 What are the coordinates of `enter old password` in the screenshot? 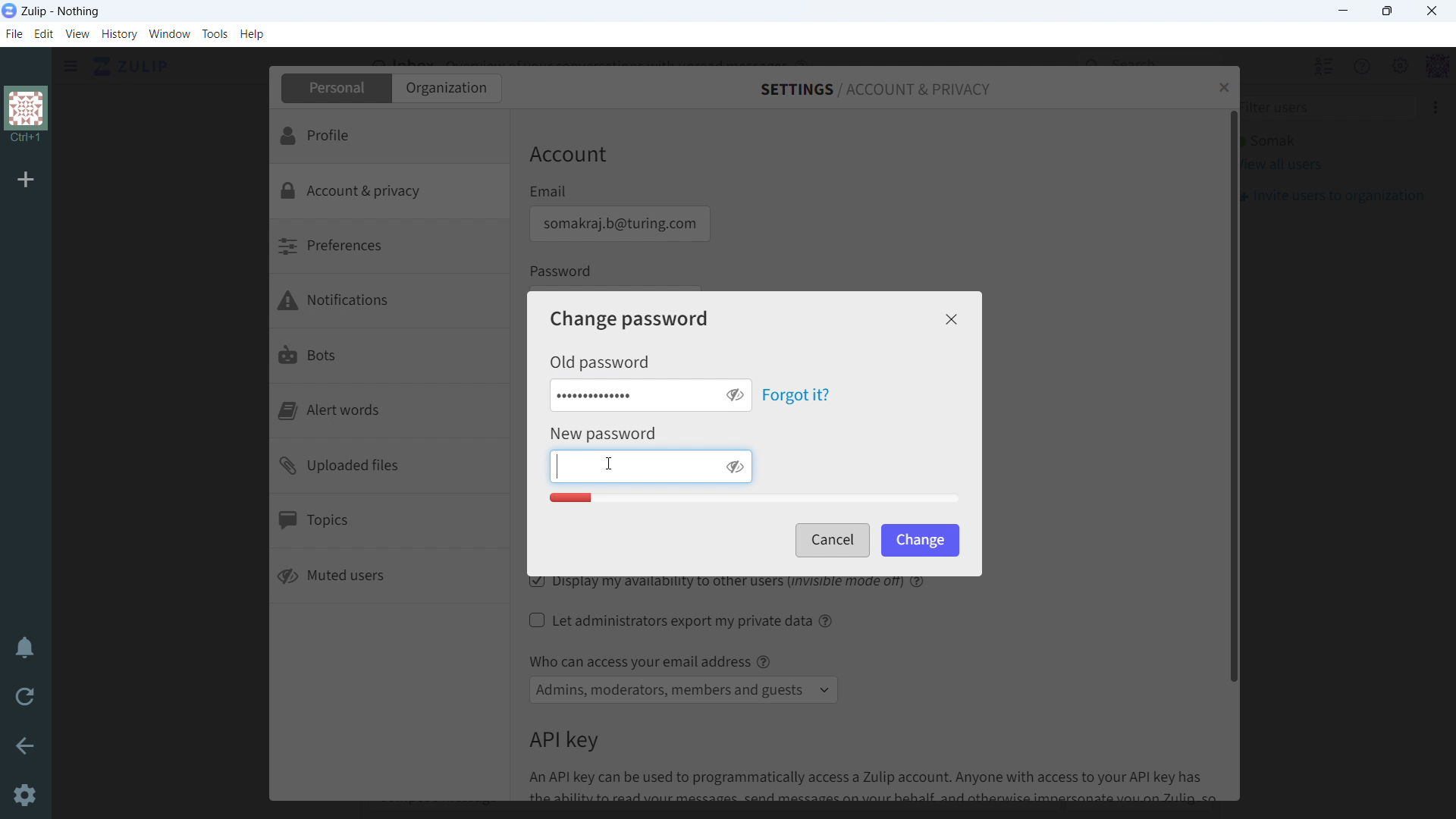 It's located at (631, 394).